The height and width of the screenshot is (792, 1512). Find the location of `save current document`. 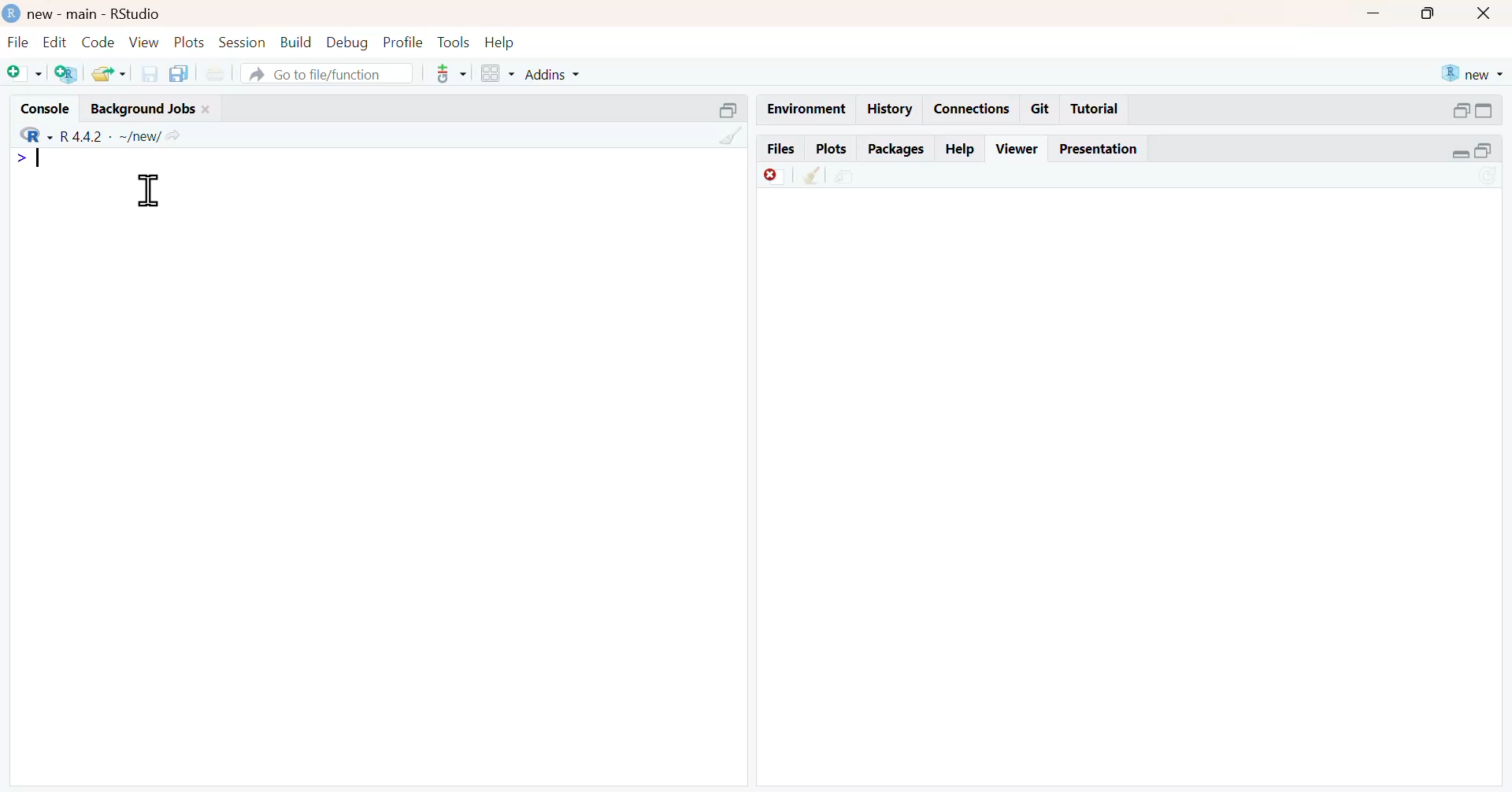

save current document is located at coordinates (149, 73).